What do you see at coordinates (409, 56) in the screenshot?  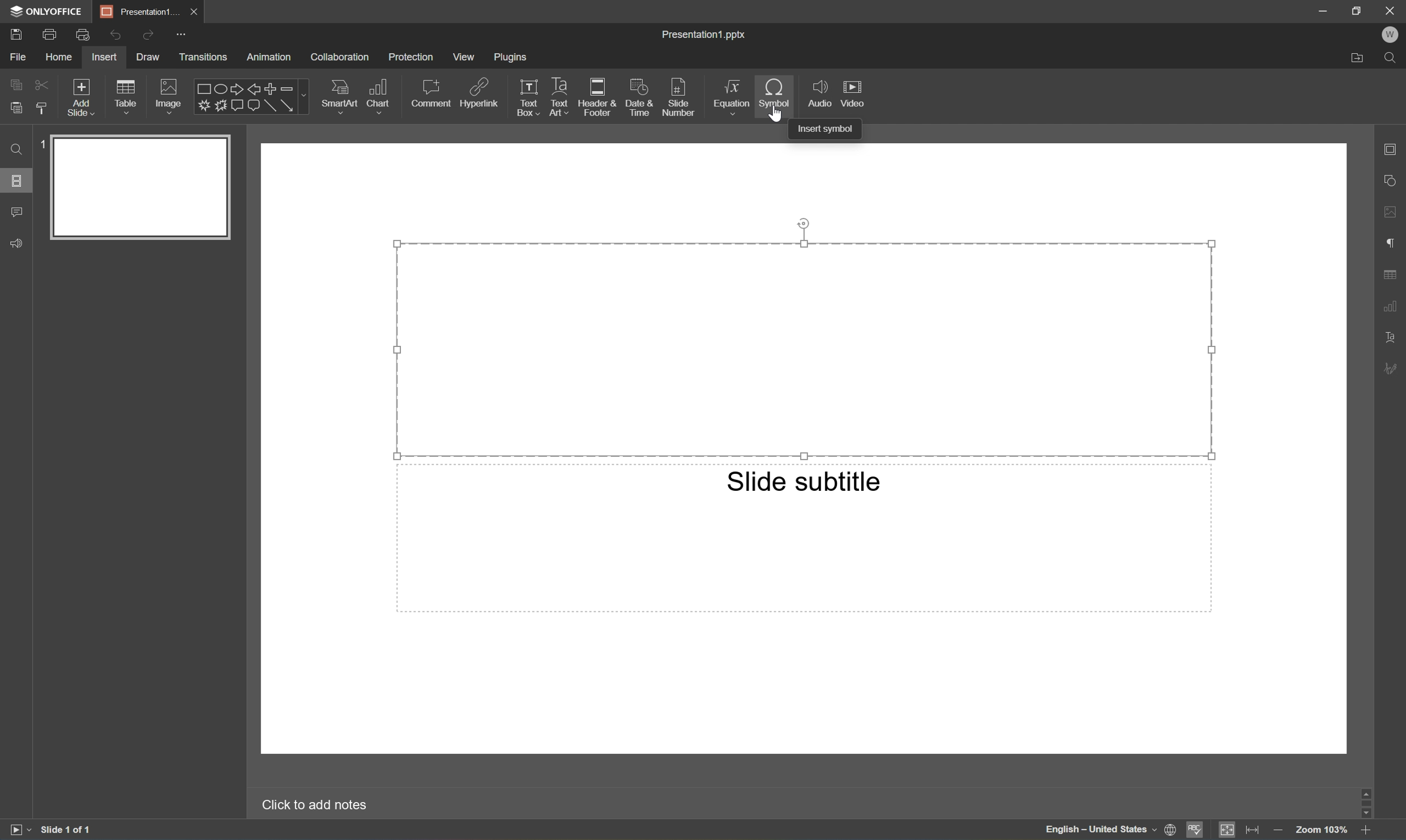 I see `Protection` at bounding box center [409, 56].